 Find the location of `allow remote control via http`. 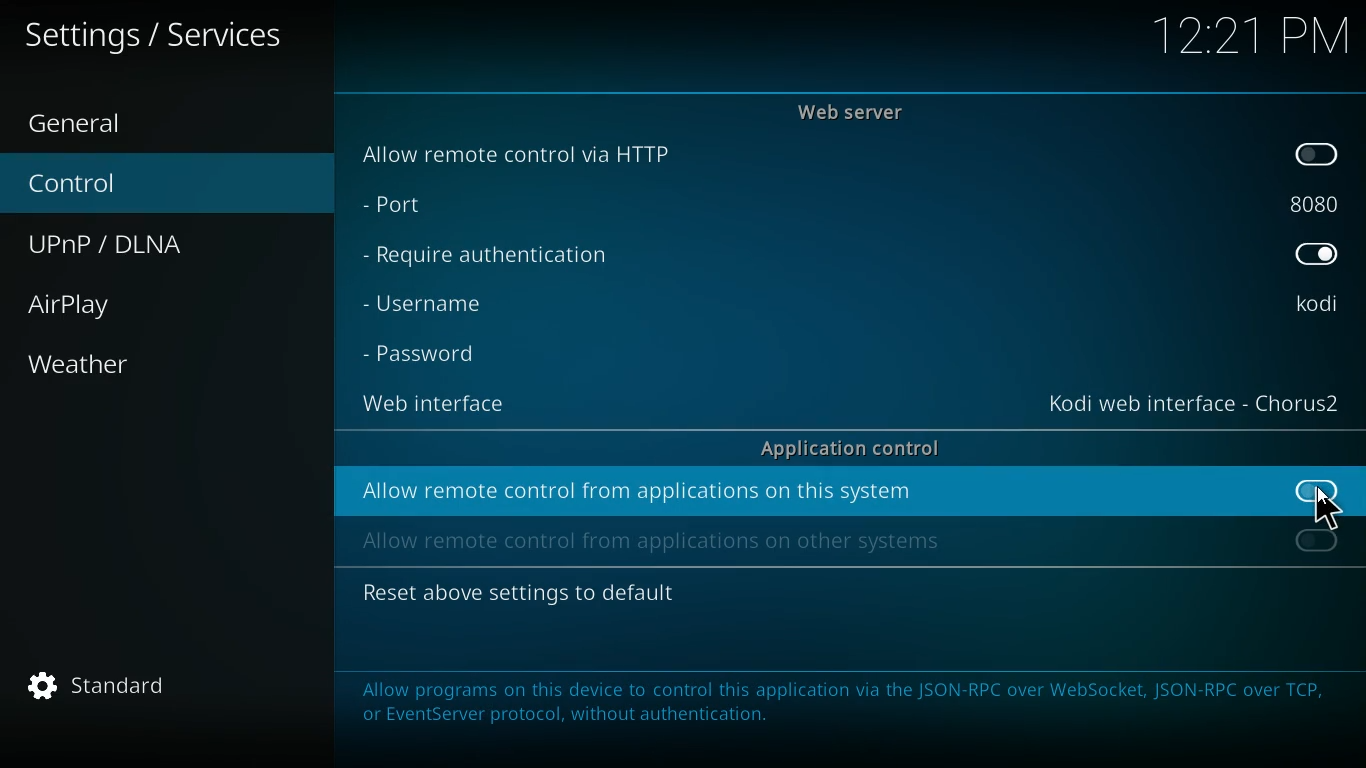

allow remote control via http is located at coordinates (520, 153).